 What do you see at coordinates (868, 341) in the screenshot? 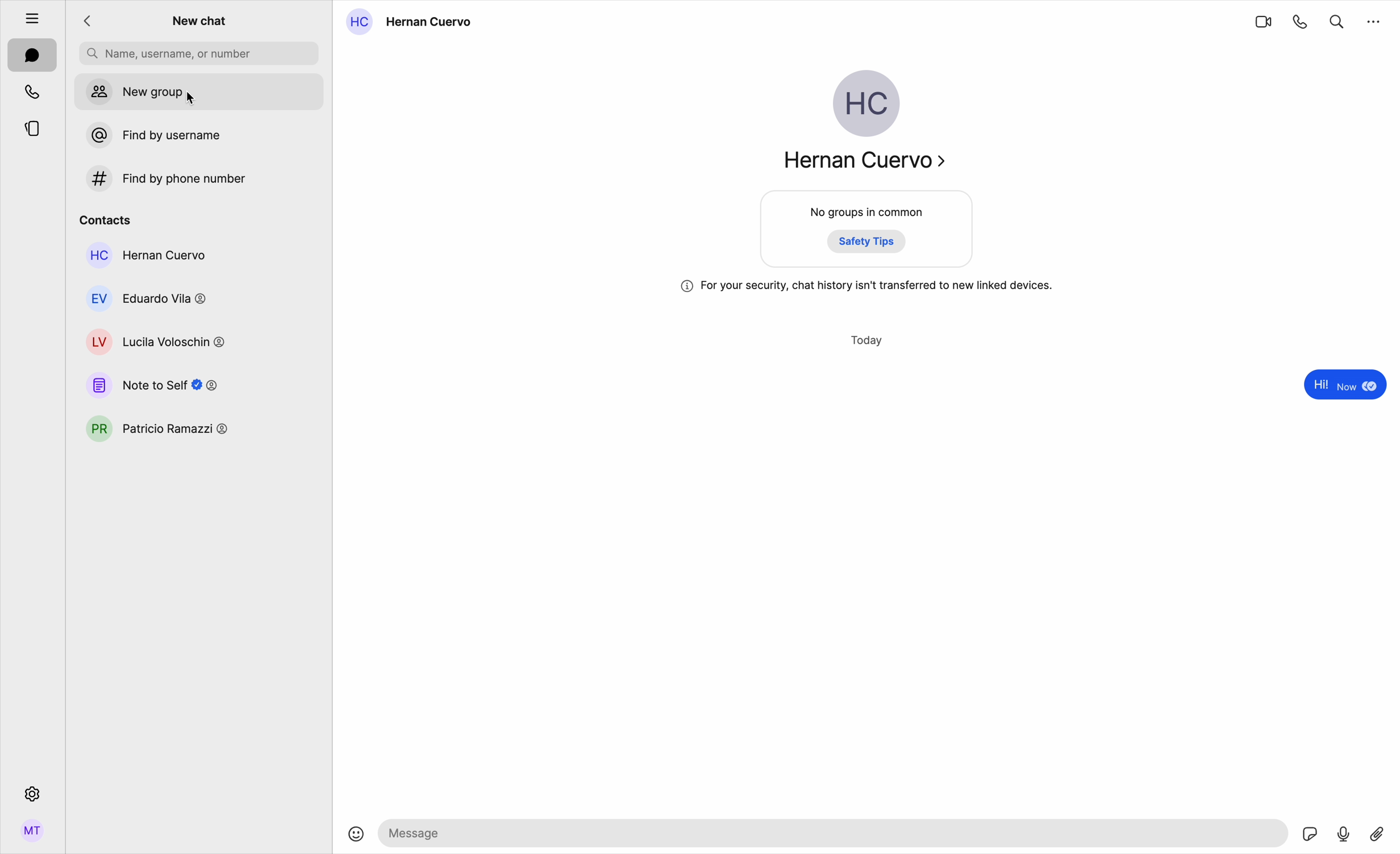
I see `today` at bounding box center [868, 341].